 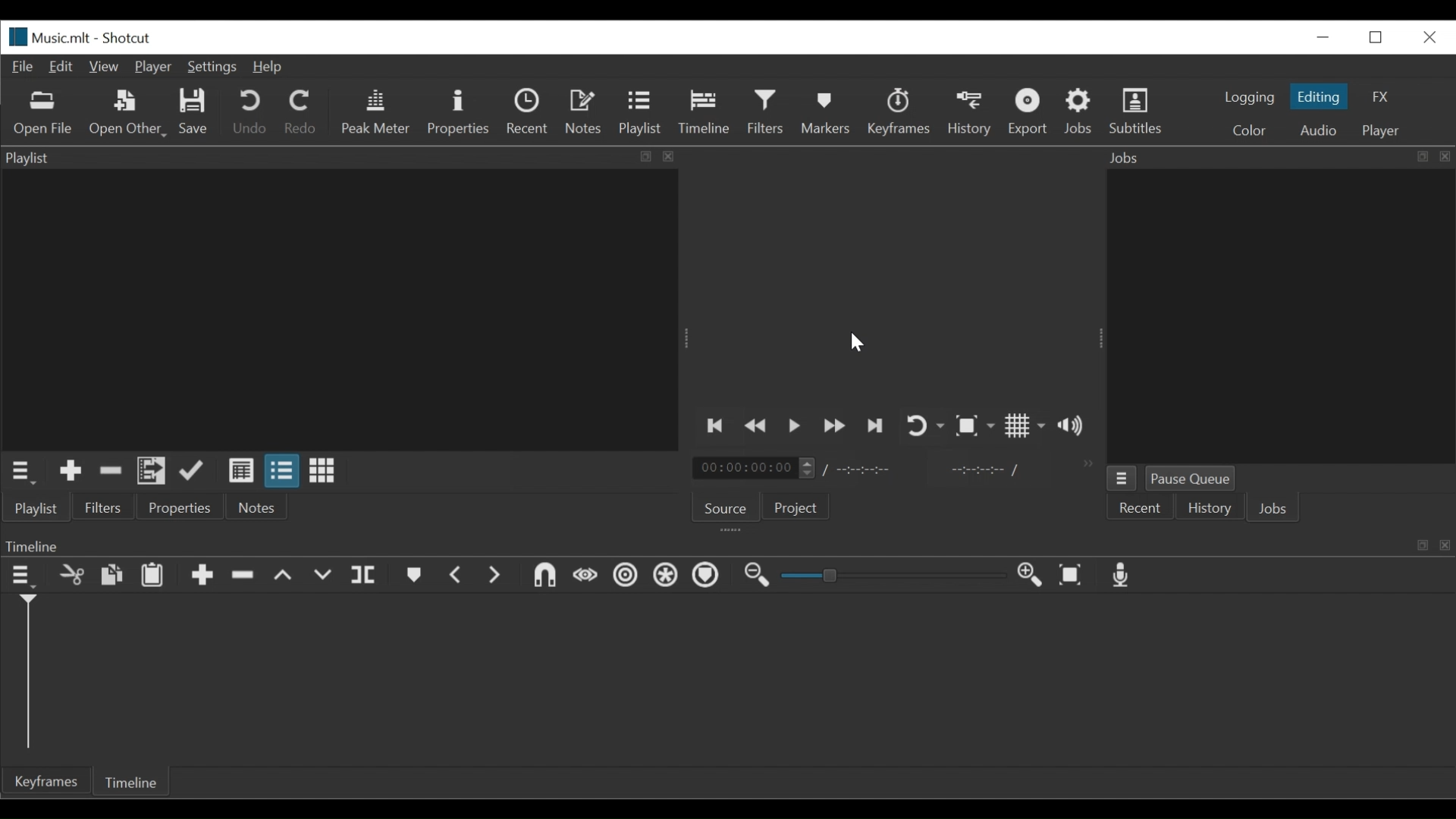 I want to click on Skip to the previous point, so click(x=716, y=427).